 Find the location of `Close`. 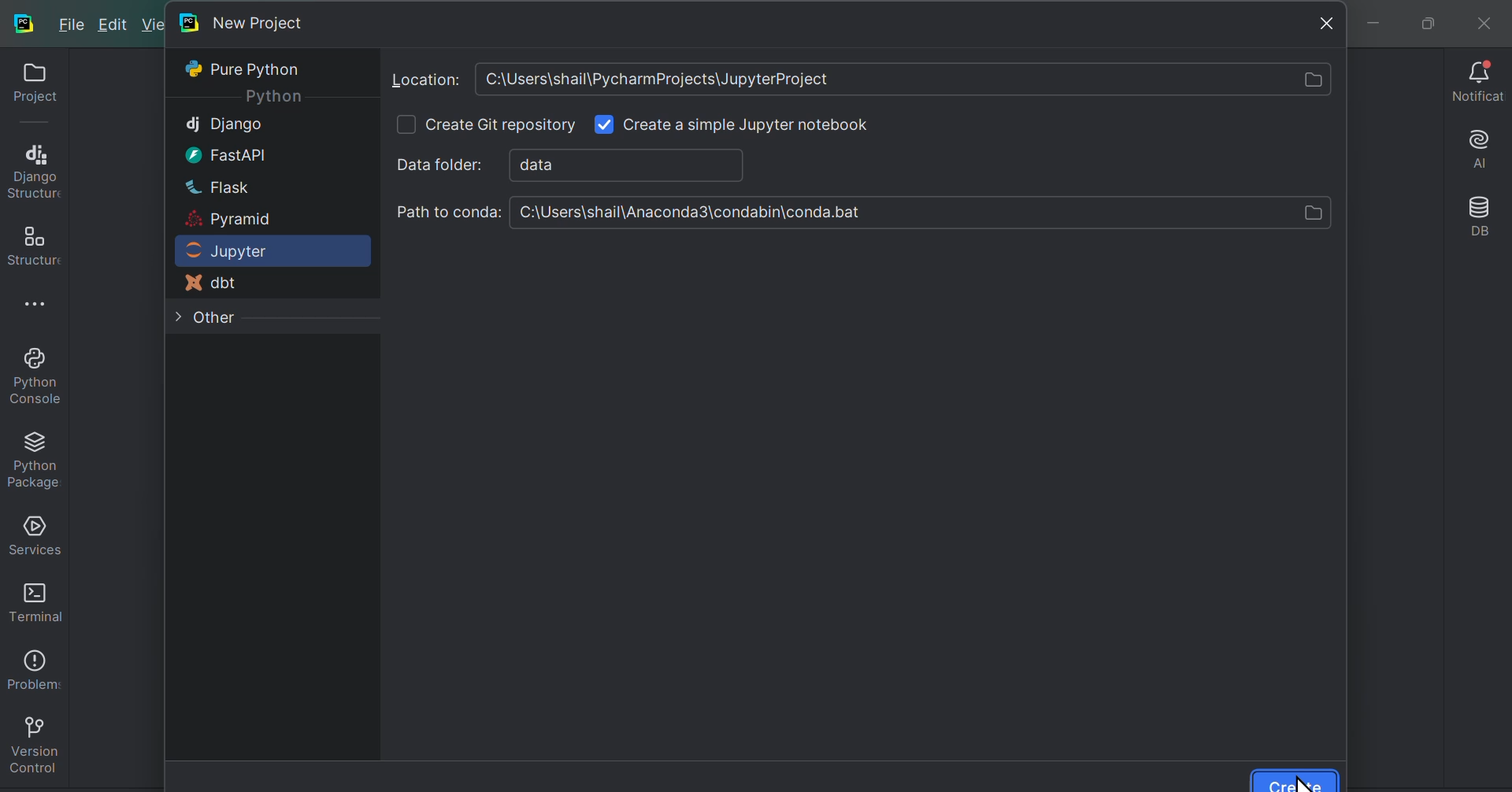

Close is located at coordinates (1325, 23).